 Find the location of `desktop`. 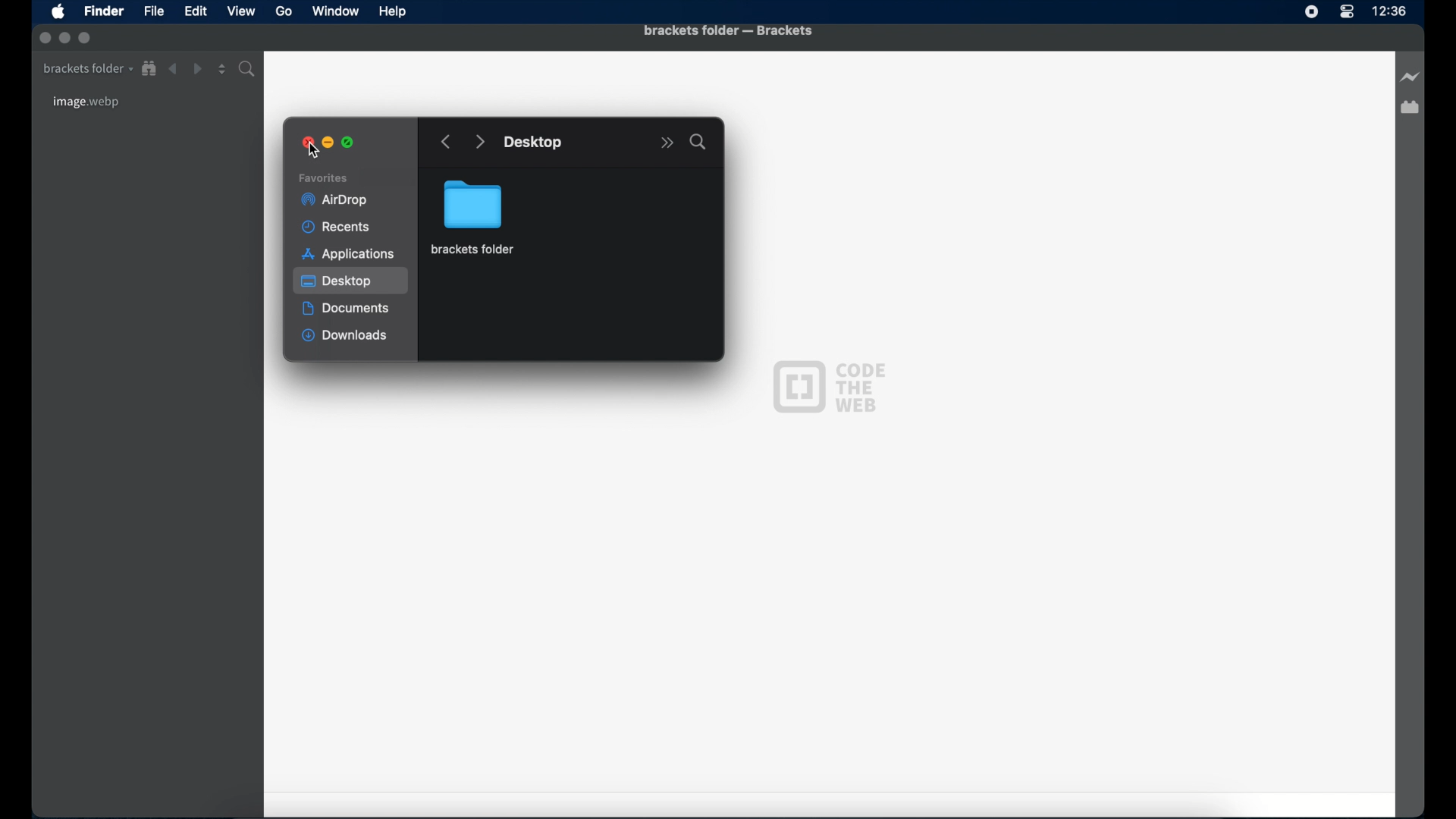

desktop is located at coordinates (535, 143).